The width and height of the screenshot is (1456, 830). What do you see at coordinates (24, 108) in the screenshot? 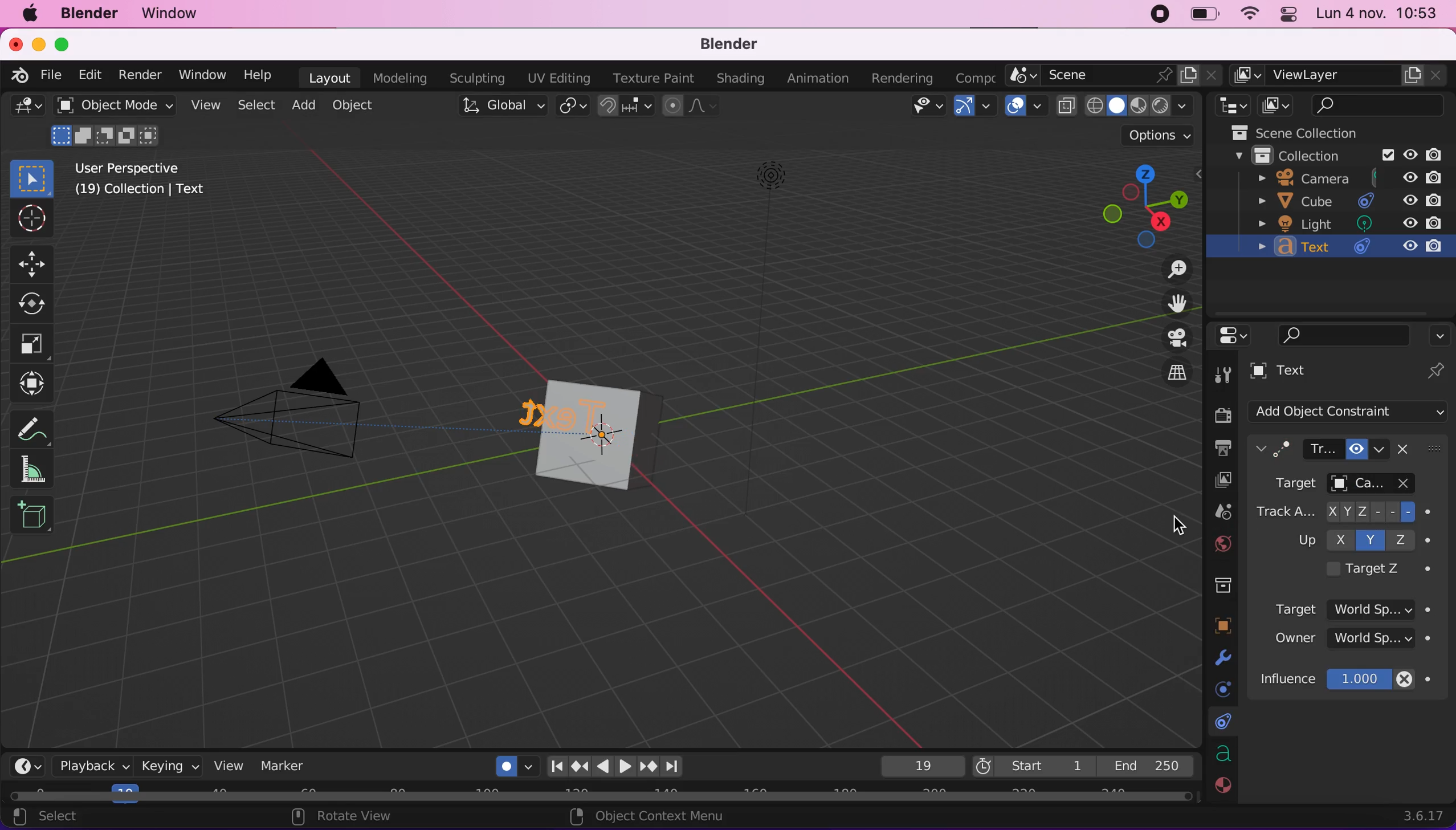
I see `editor type` at bounding box center [24, 108].